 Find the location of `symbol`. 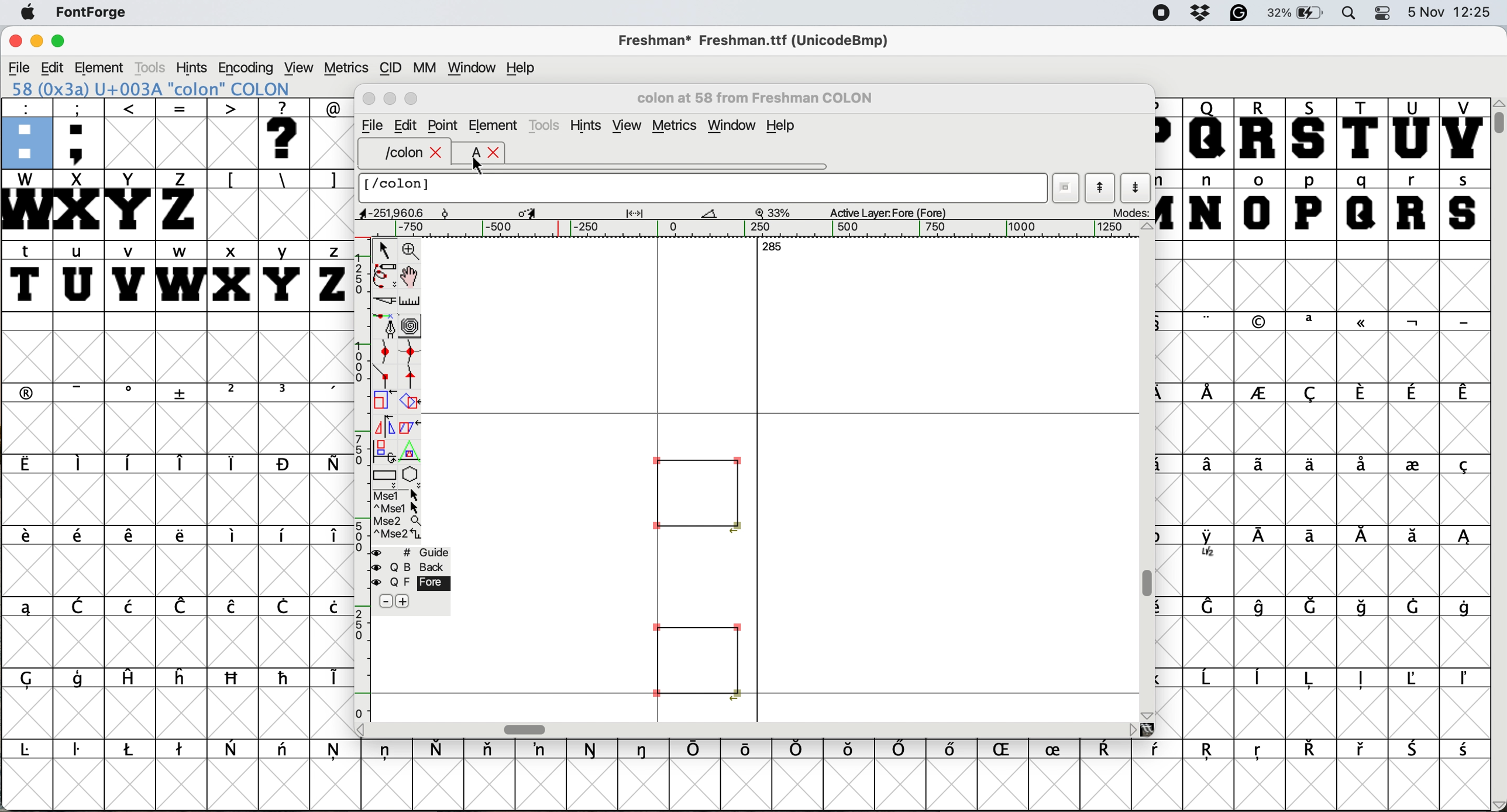

symbol is located at coordinates (284, 464).